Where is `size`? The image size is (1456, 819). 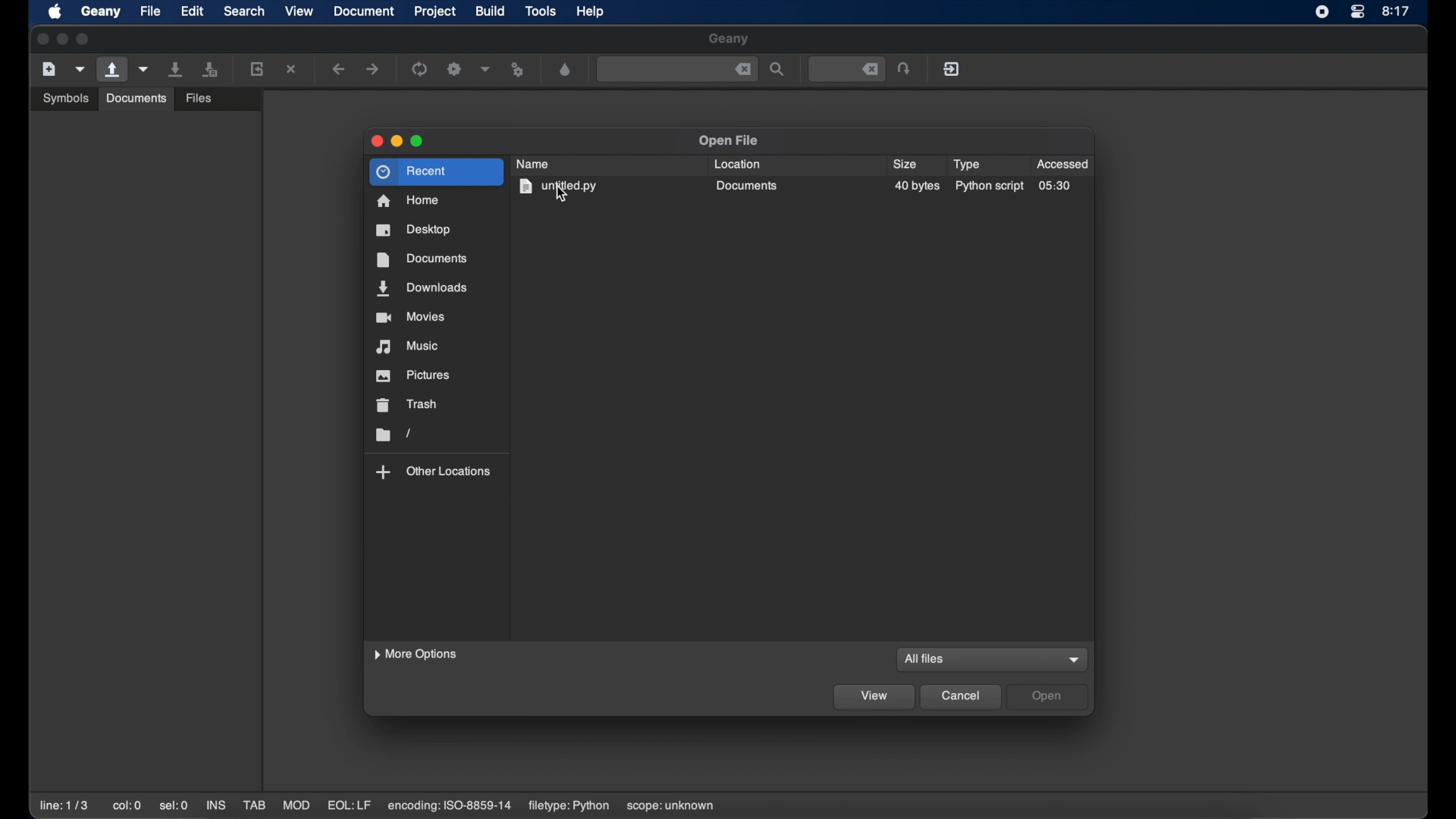
size is located at coordinates (905, 164).